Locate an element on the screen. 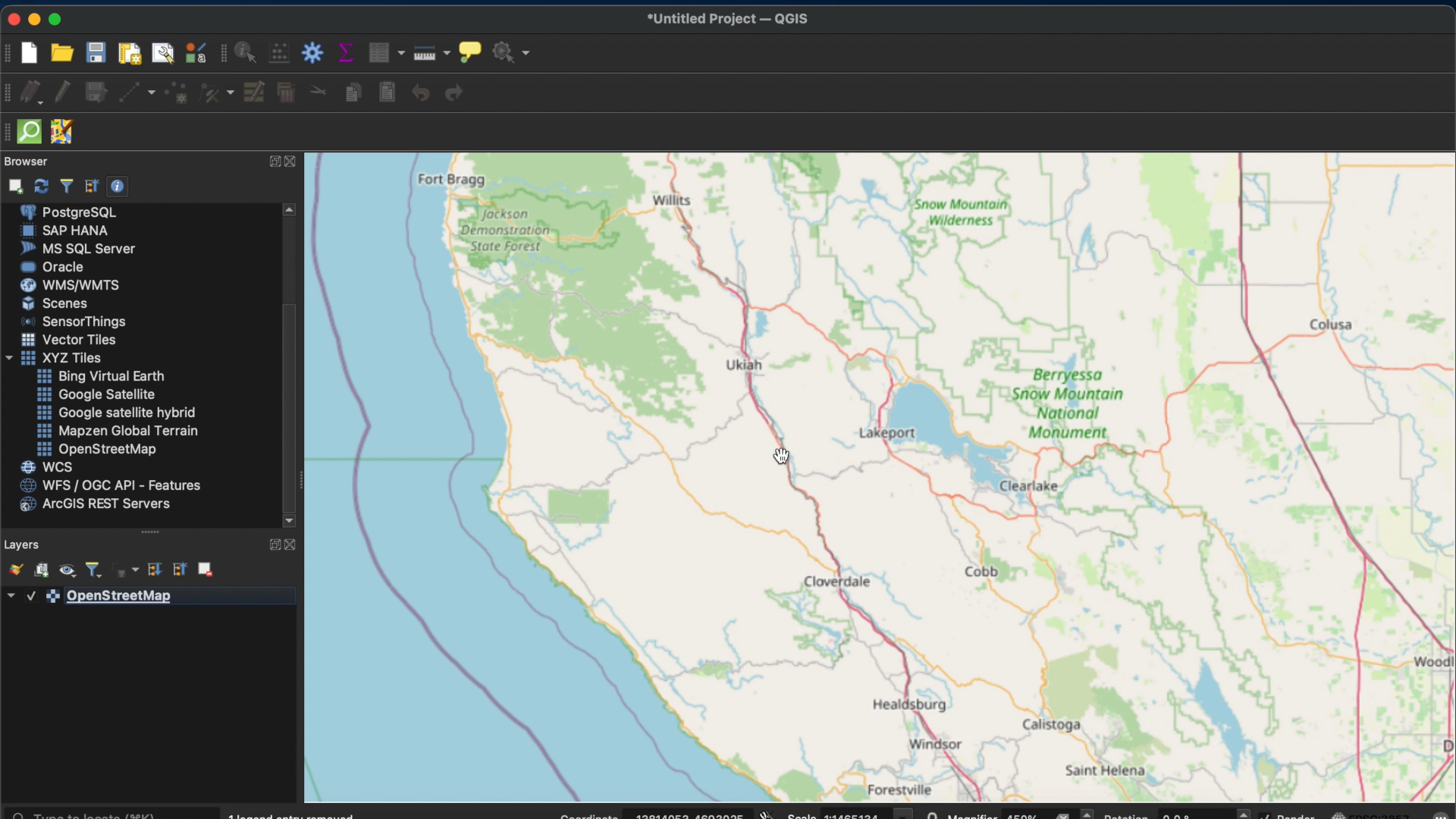 This screenshot has height=819, width=1456. openstreetmap is located at coordinates (90, 597).